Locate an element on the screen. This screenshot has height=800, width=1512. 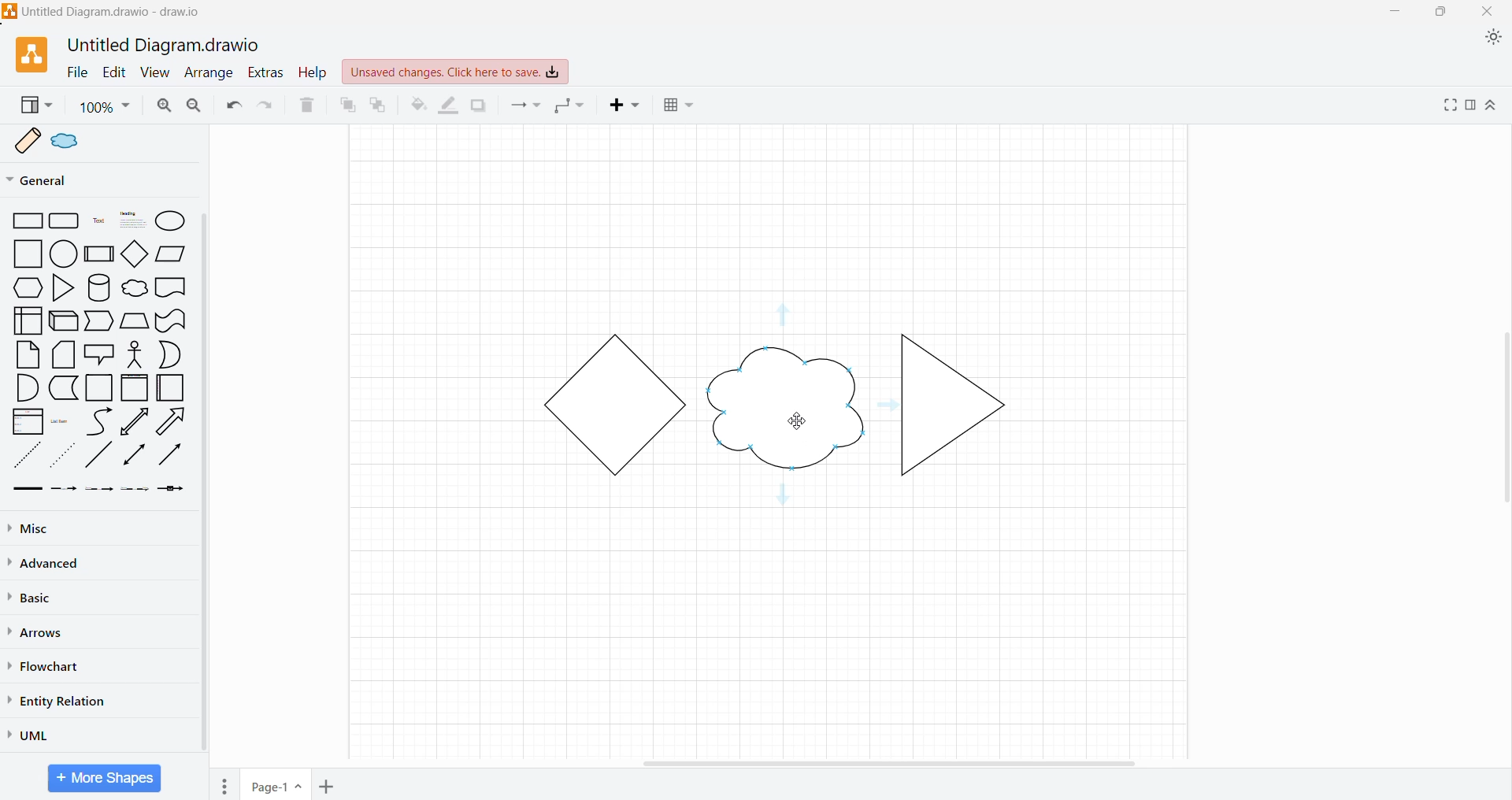
Shadow is located at coordinates (480, 108).